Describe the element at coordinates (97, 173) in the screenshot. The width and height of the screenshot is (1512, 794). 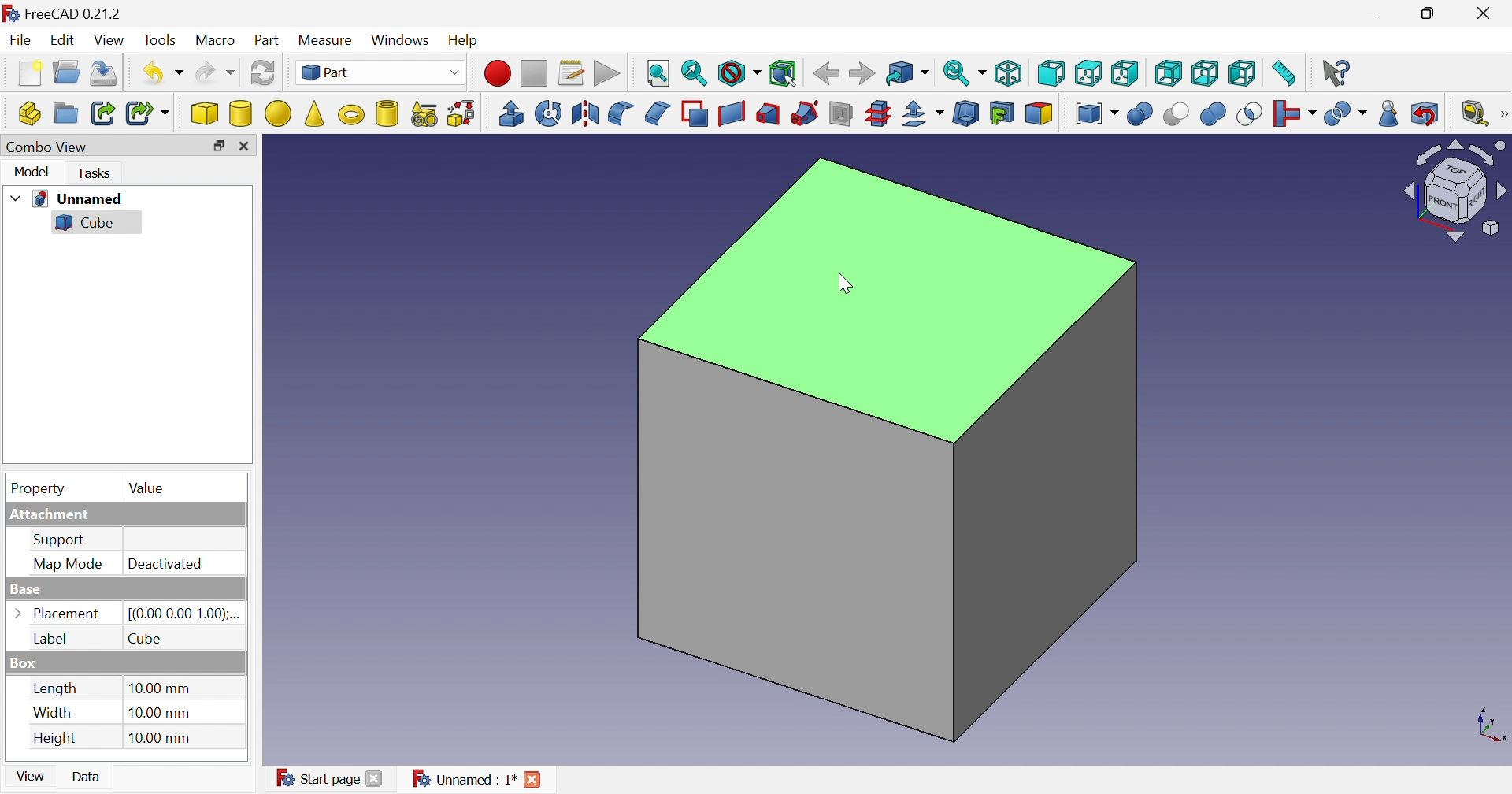
I see `Tasks` at that location.